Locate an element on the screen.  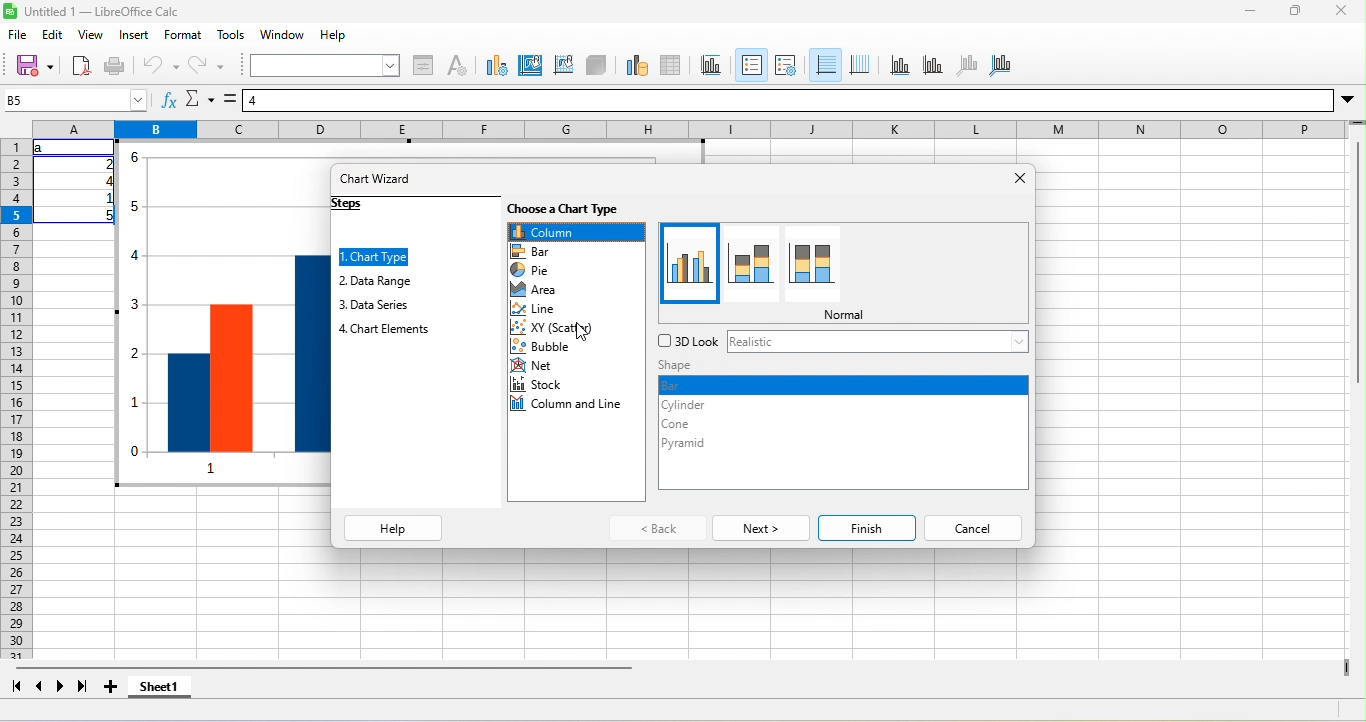
choose a chart type is located at coordinates (562, 209).